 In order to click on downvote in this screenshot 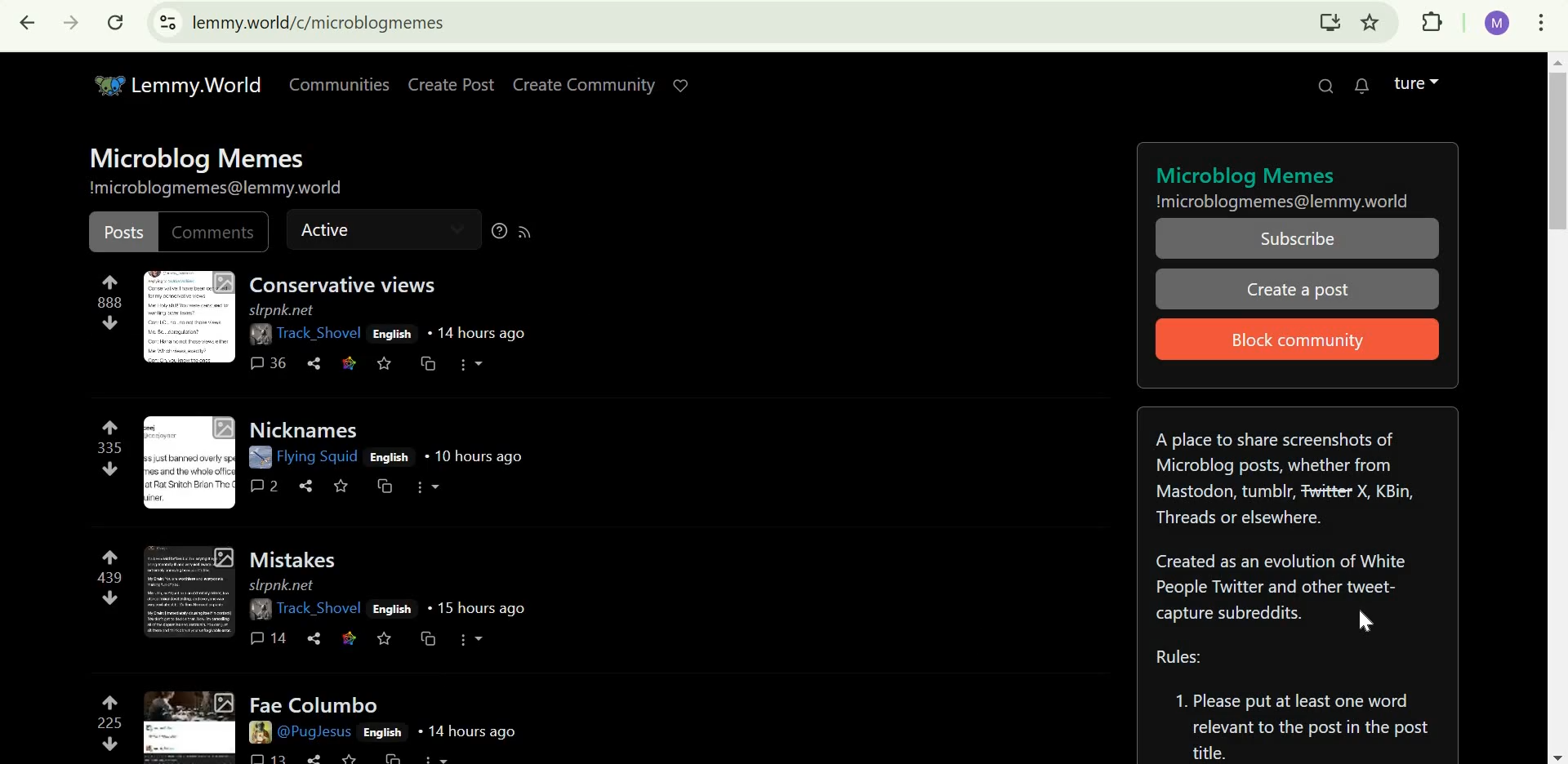, I will do `click(111, 599)`.